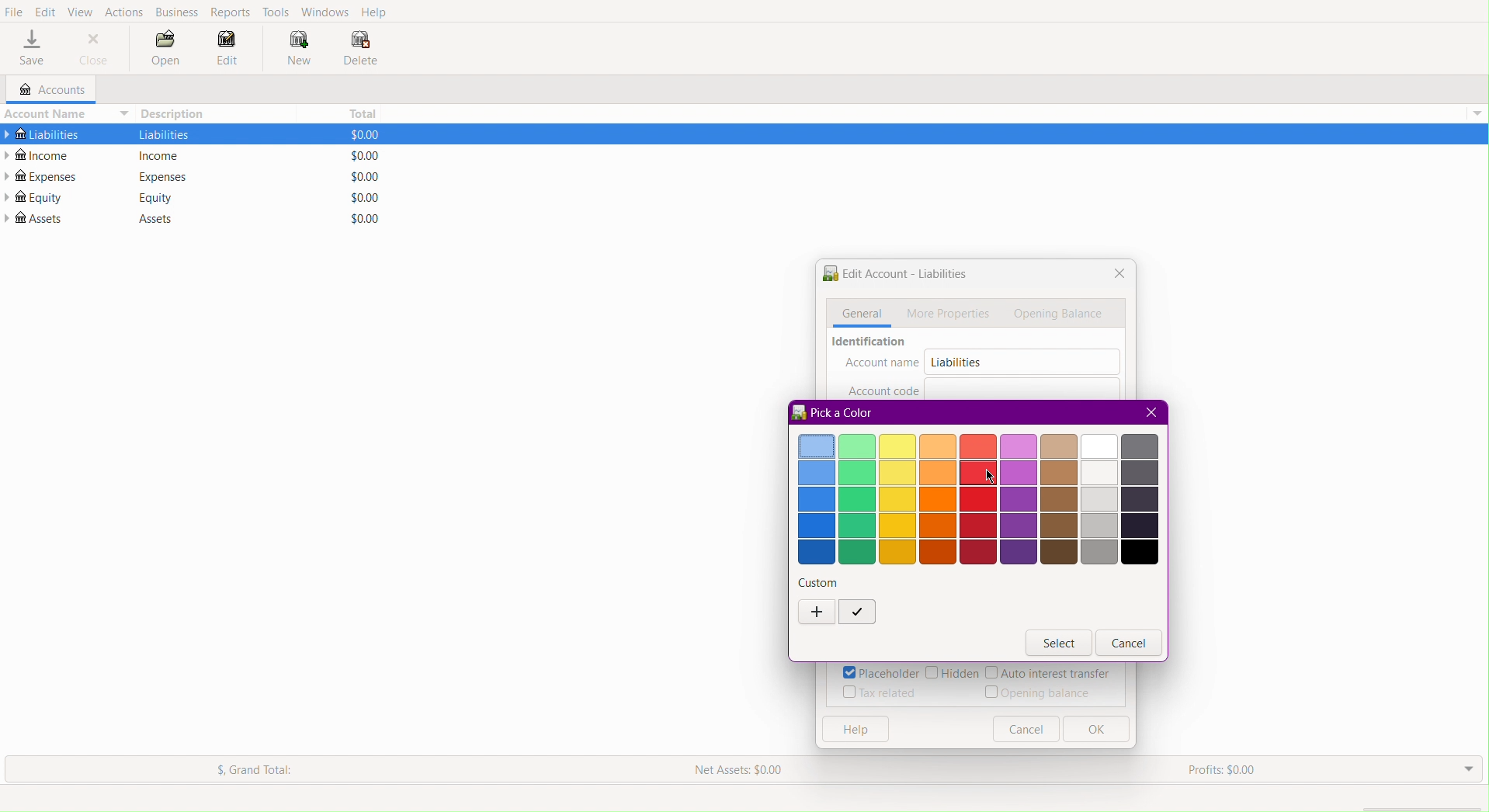  I want to click on Assets, so click(148, 219).